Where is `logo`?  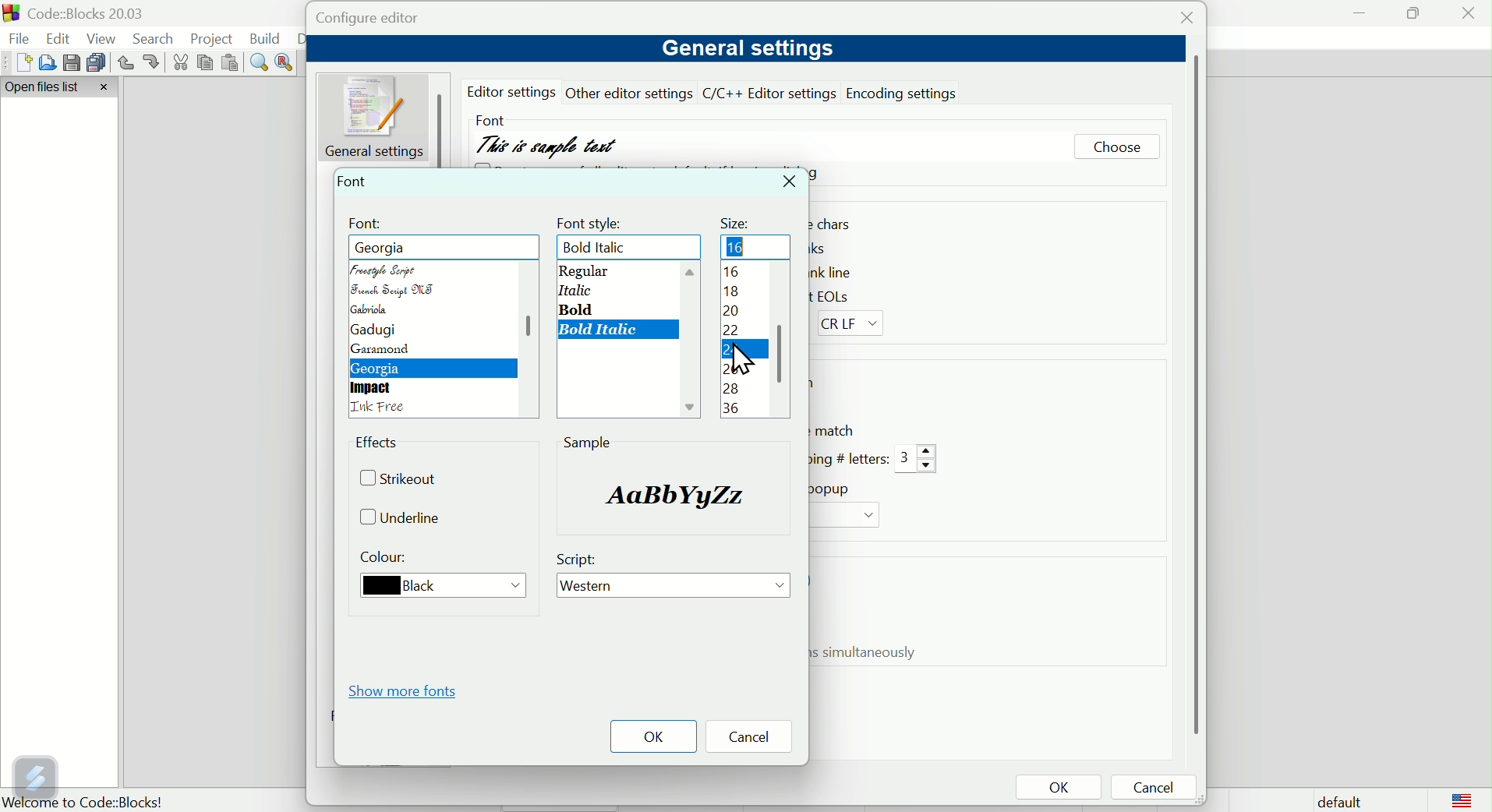 logo is located at coordinates (1462, 800).